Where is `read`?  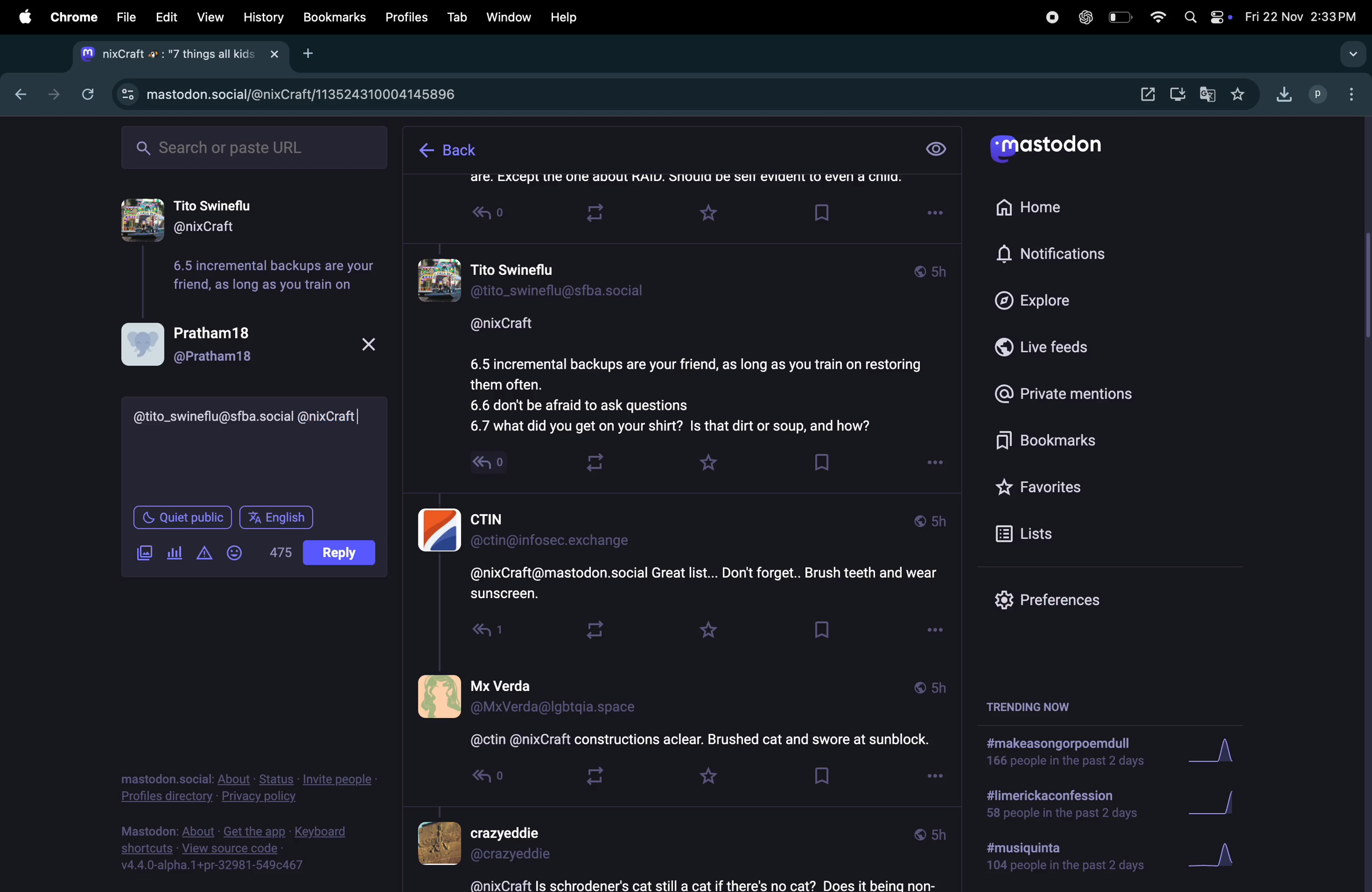
read is located at coordinates (496, 471).